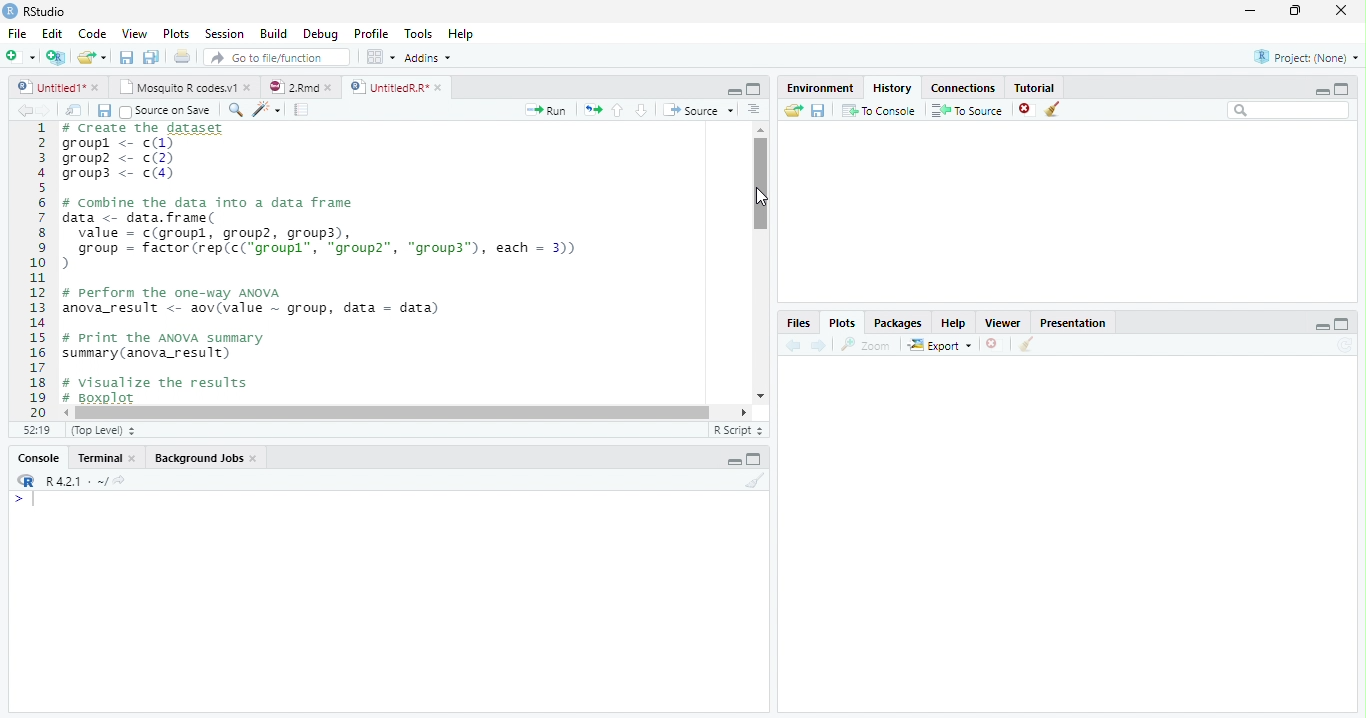 This screenshot has width=1366, height=718. I want to click on Minimize, so click(734, 463).